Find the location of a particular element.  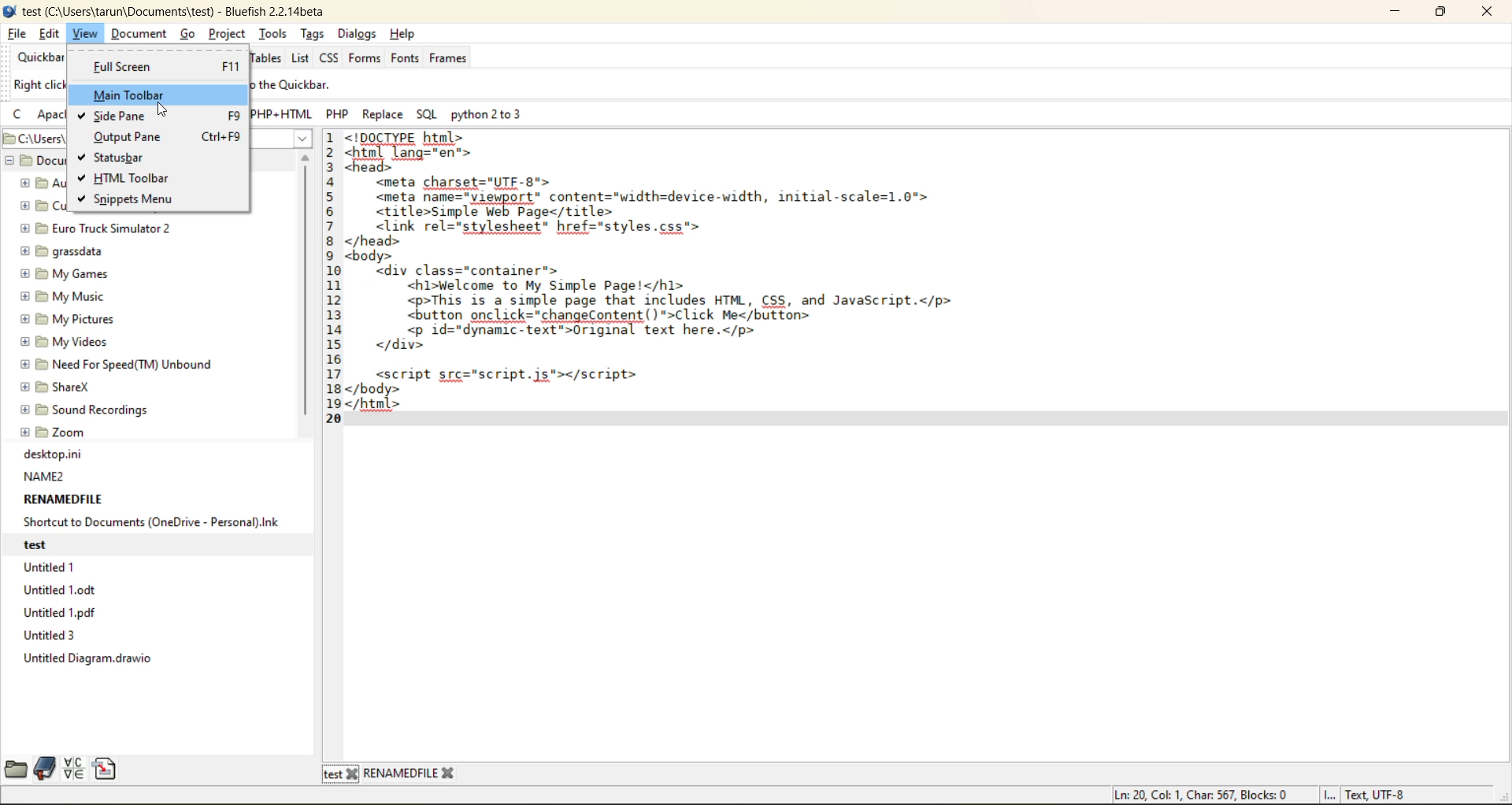

project is located at coordinates (230, 33).